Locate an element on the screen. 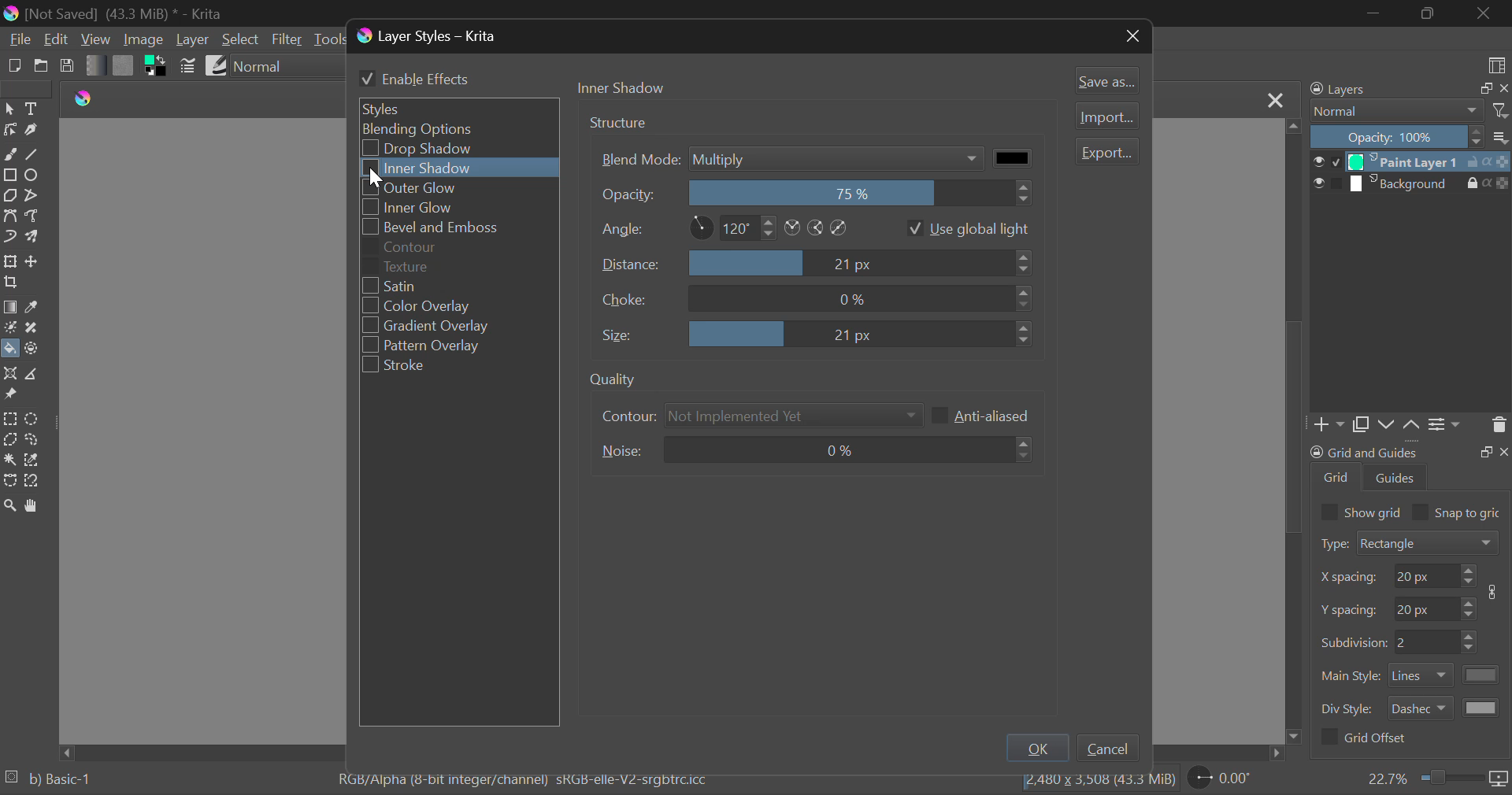 The image size is (1512, 795). Pan is located at coordinates (33, 506).